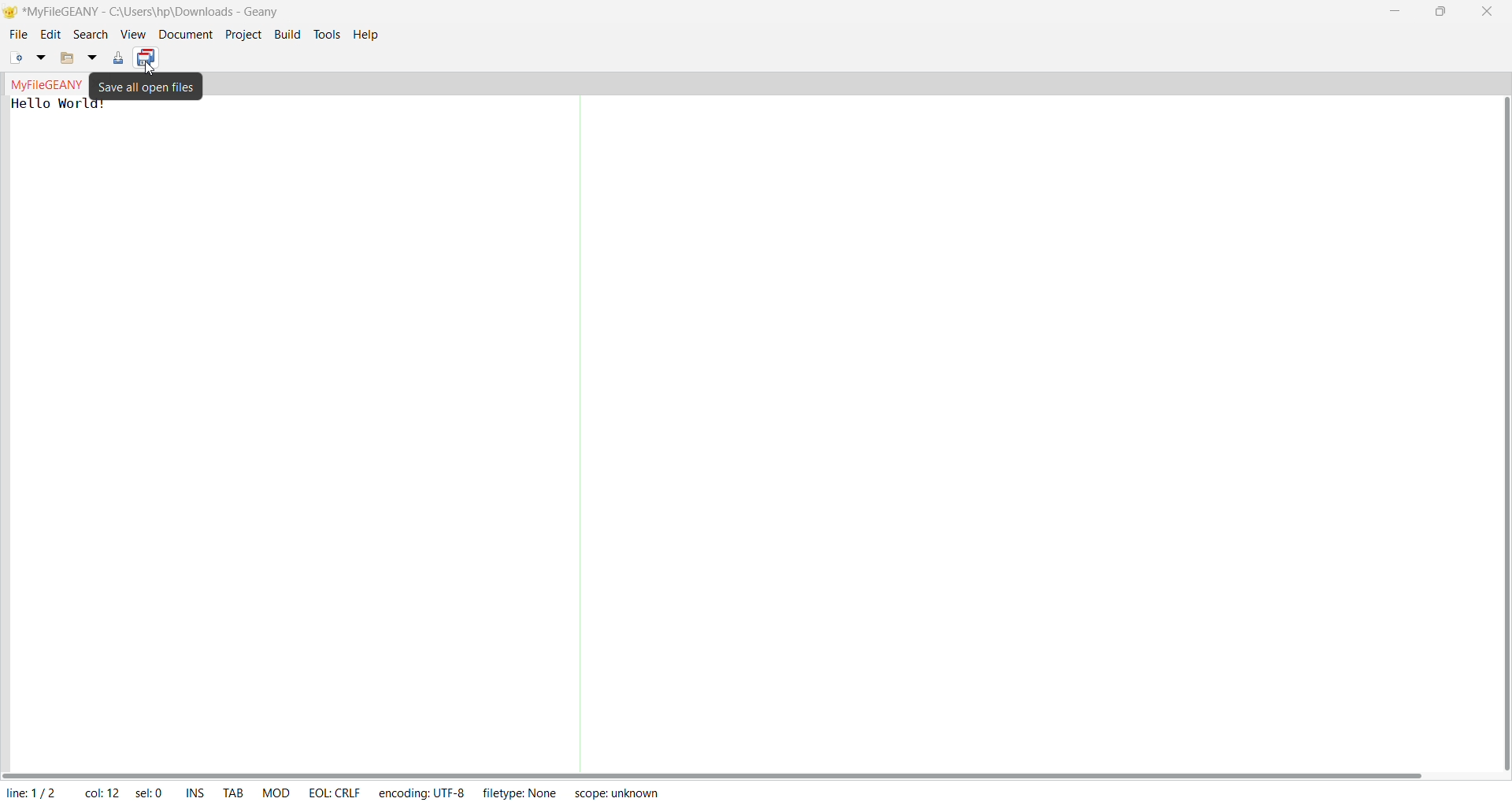  Describe the element at coordinates (422, 792) in the screenshot. I see `Encoding` at that location.